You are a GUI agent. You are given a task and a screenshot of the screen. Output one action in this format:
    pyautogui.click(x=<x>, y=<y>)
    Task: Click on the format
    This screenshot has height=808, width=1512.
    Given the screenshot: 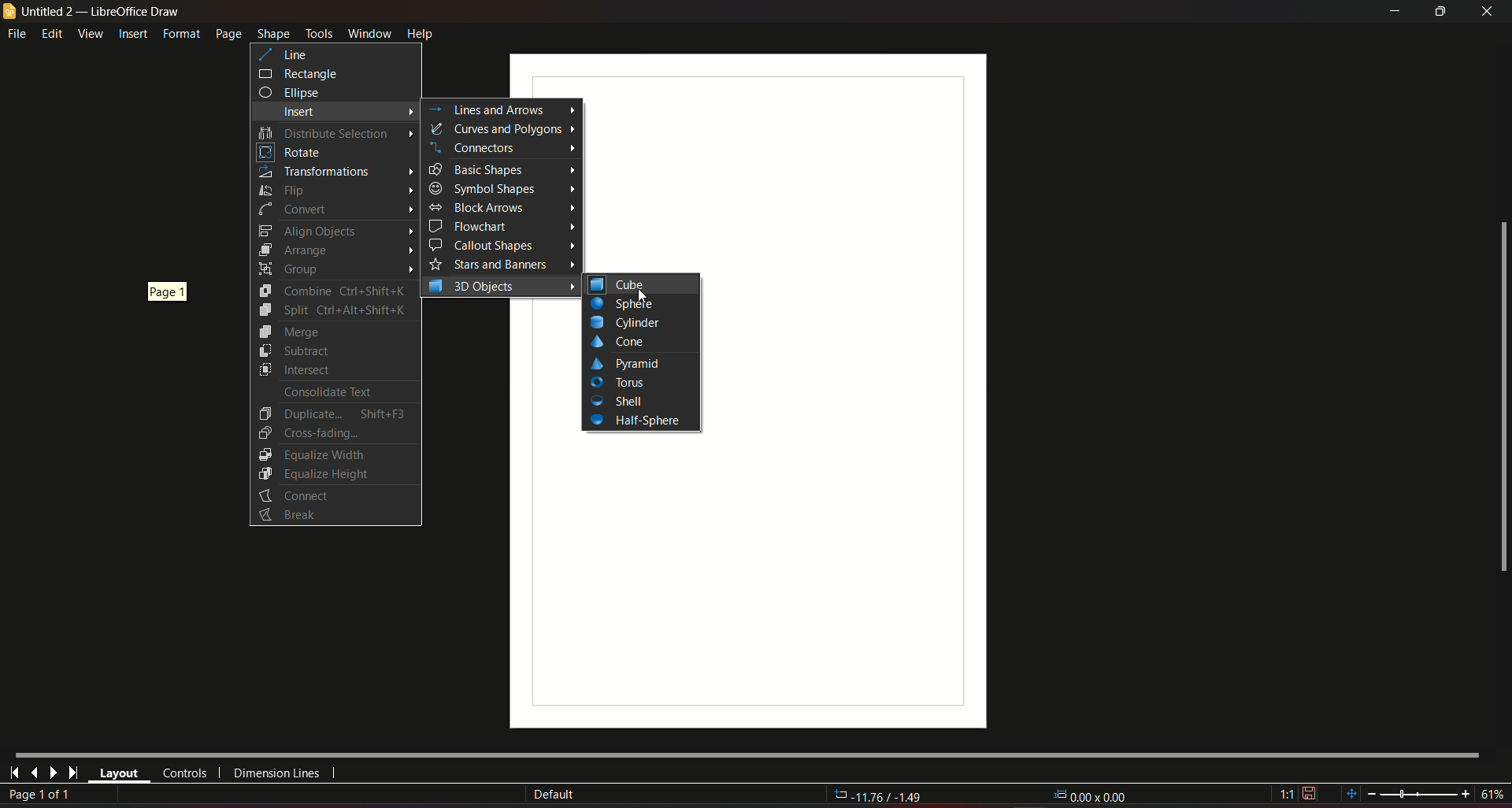 What is the action you would take?
    pyautogui.click(x=180, y=34)
    